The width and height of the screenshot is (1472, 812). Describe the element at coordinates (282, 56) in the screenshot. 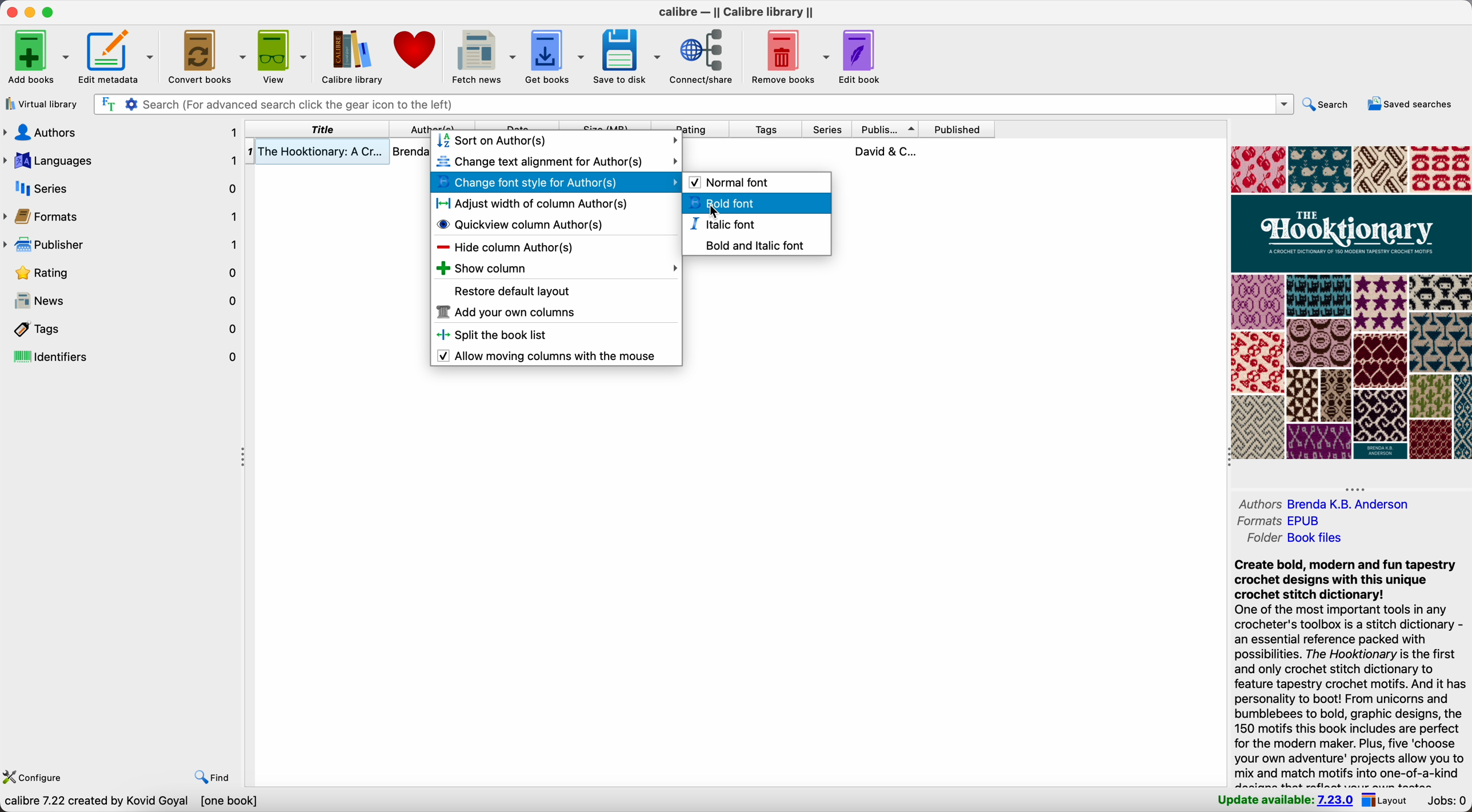

I see `view` at that location.